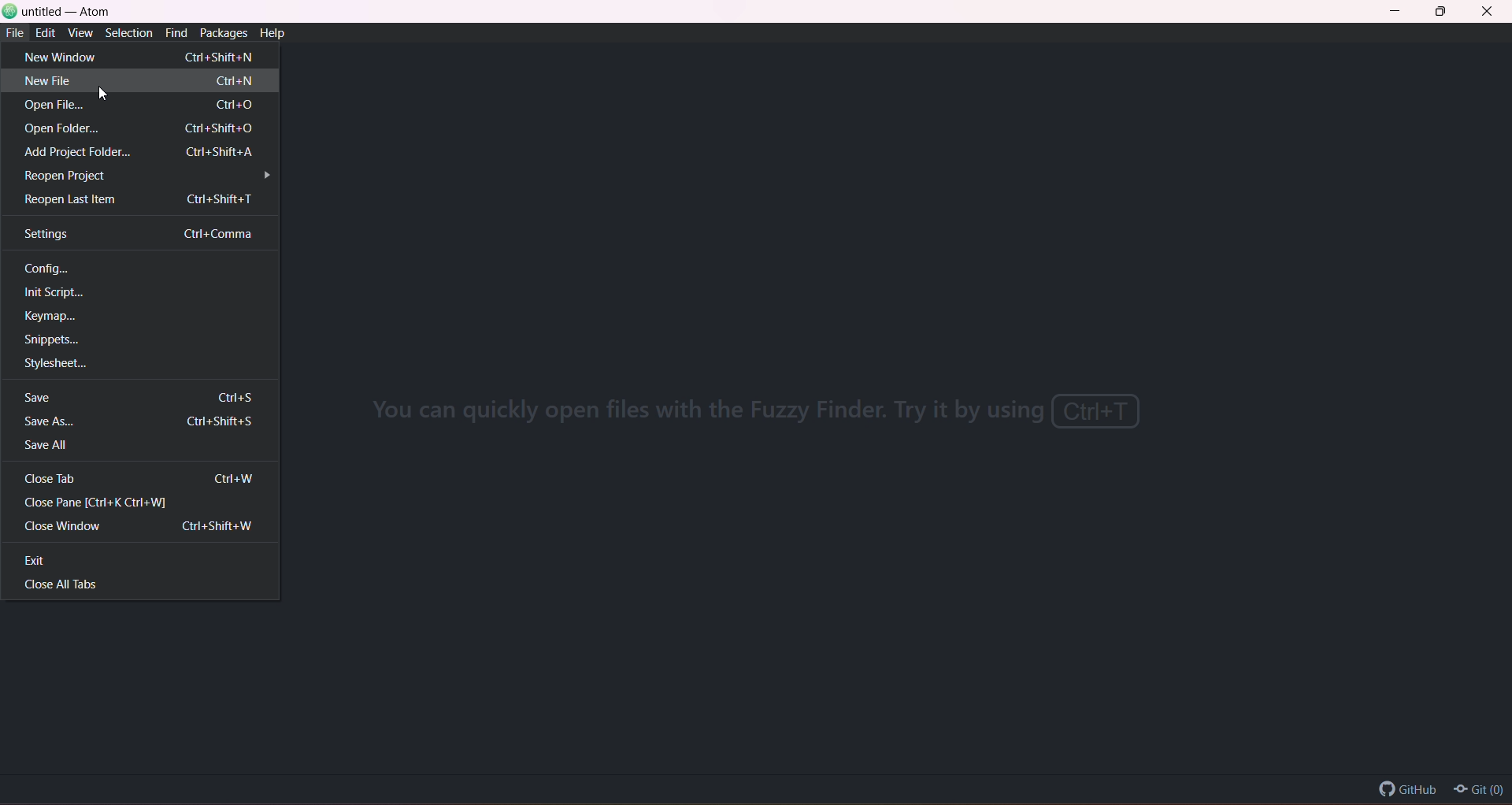  Describe the element at coordinates (141, 128) in the screenshot. I see `Open Folder... Ctrl+Shift+O` at that location.